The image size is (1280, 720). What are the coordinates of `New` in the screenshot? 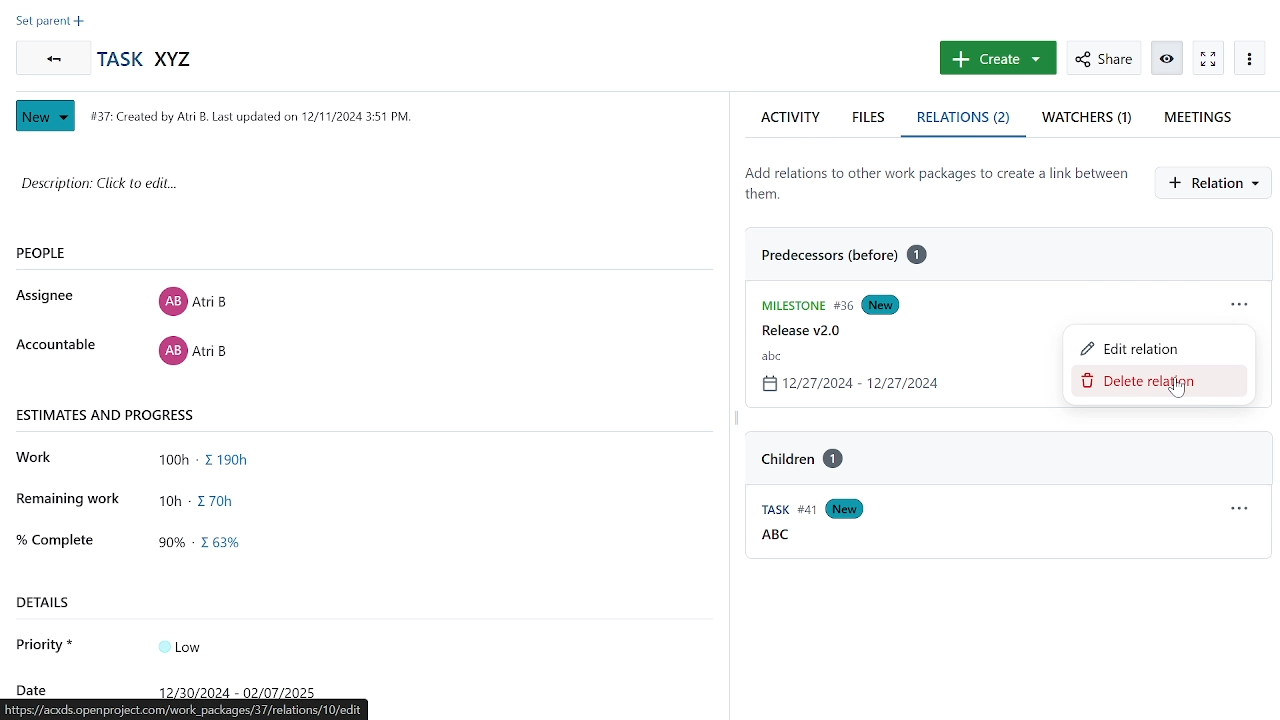 It's located at (48, 116).